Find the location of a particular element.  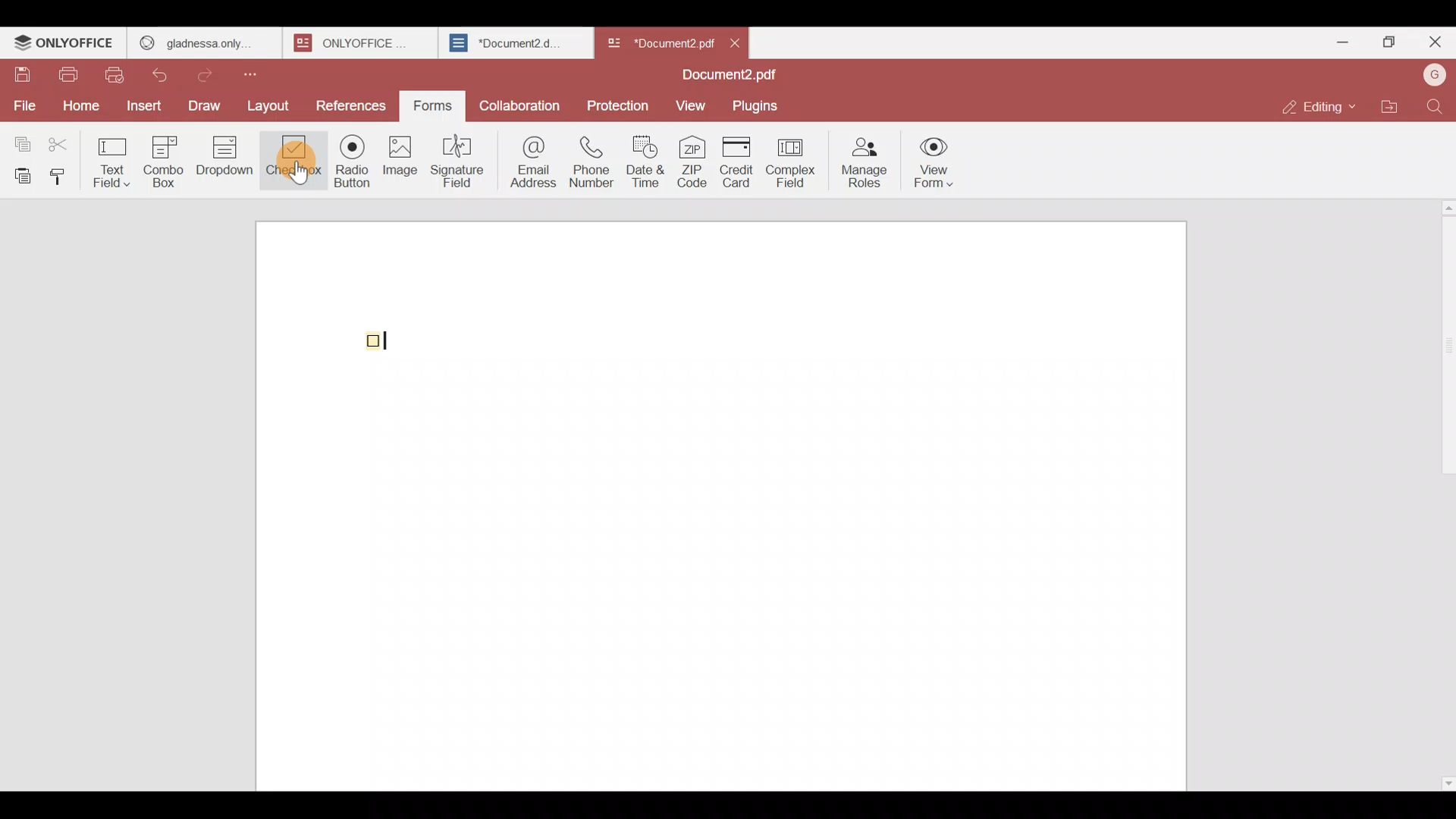

gladness only is located at coordinates (203, 39).